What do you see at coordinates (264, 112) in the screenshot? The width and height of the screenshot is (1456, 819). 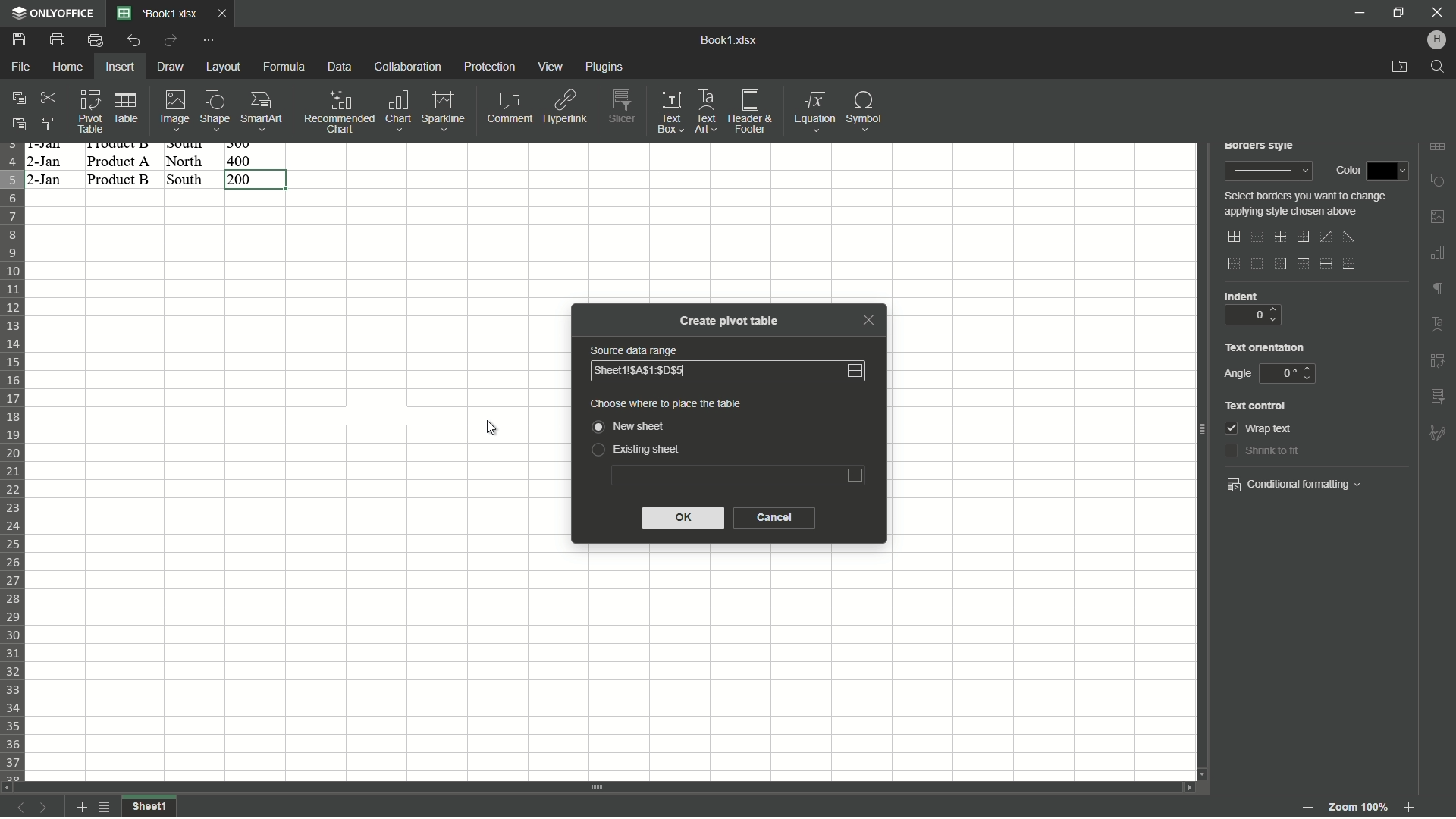 I see `Smartart` at bounding box center [264, 112].